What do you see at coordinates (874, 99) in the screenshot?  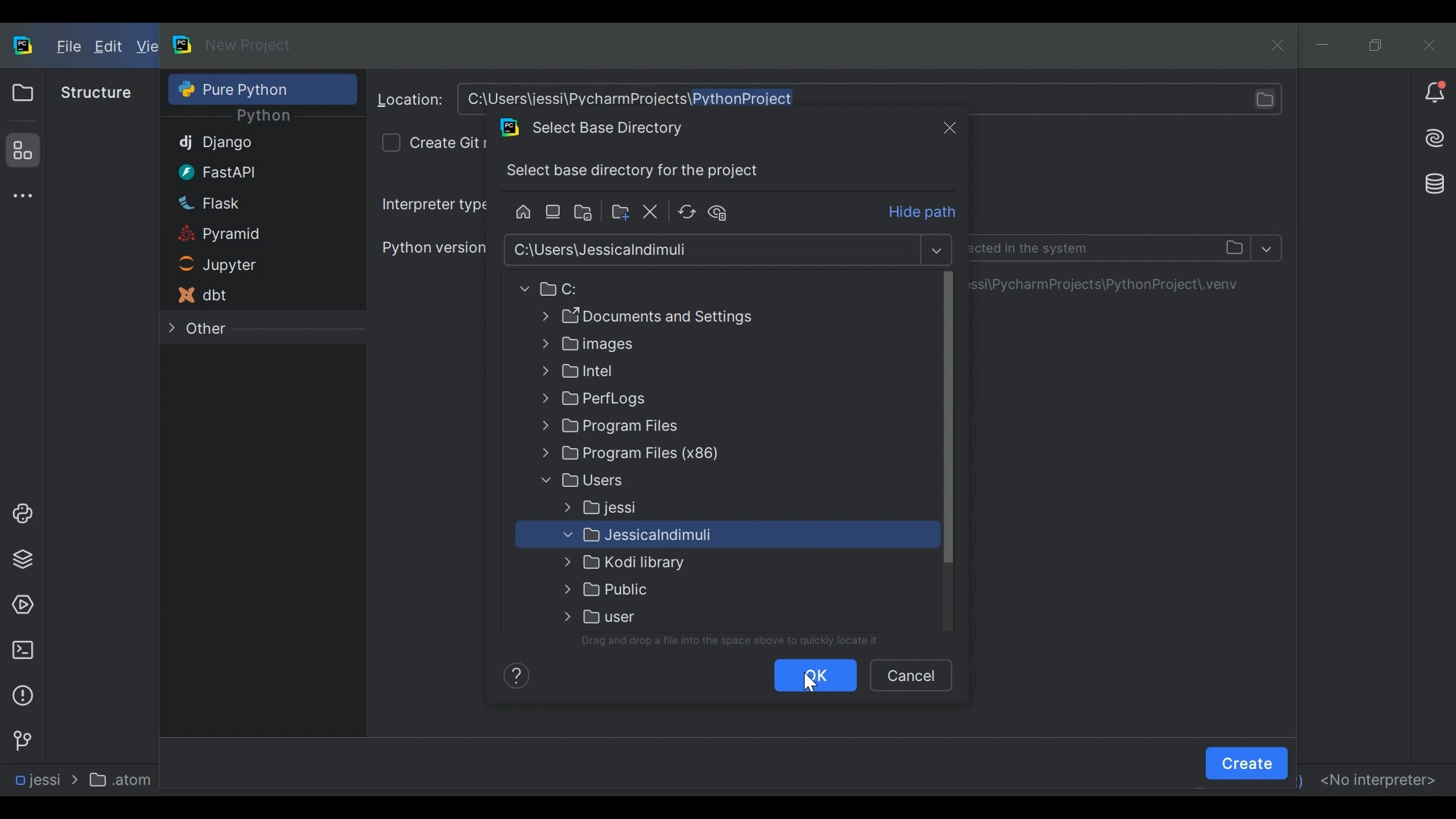 I see `Directories` at bounding box center [874, 99].